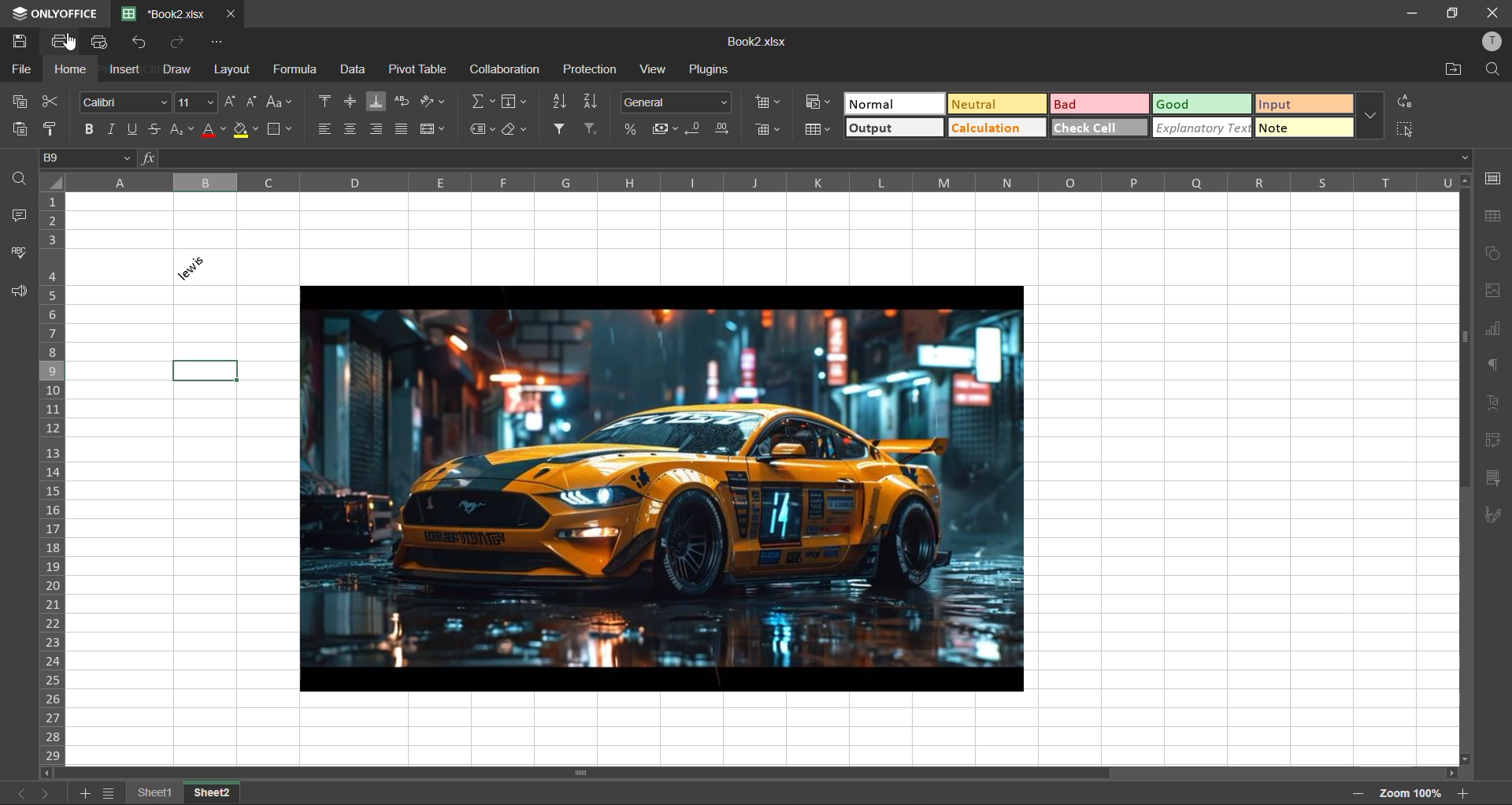  What do you see at coordinates (377, 131) in the screenshot?
I see `align right` at bounding box center [377, 131].